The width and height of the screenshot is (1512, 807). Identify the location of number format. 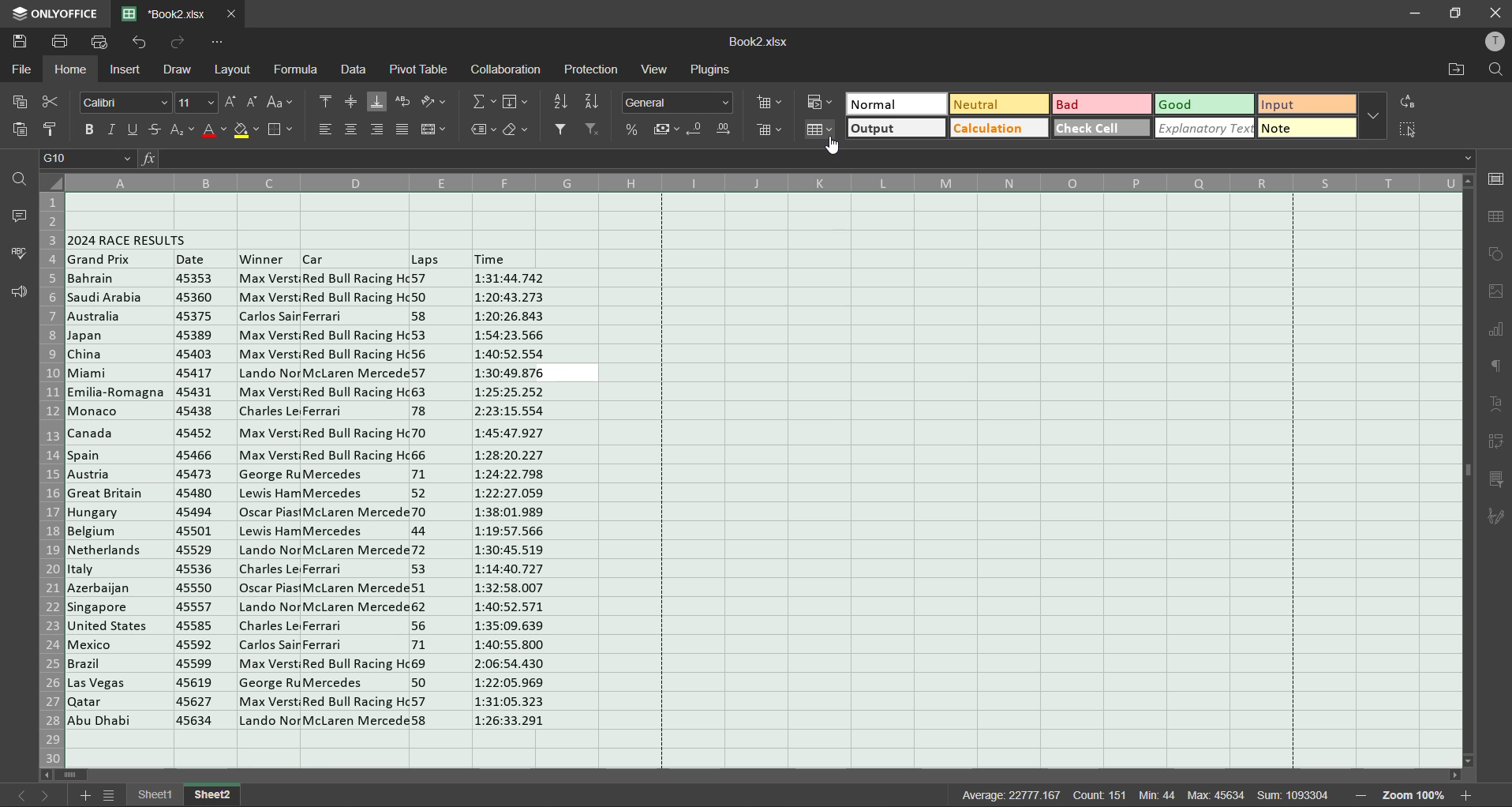
(678, 103).